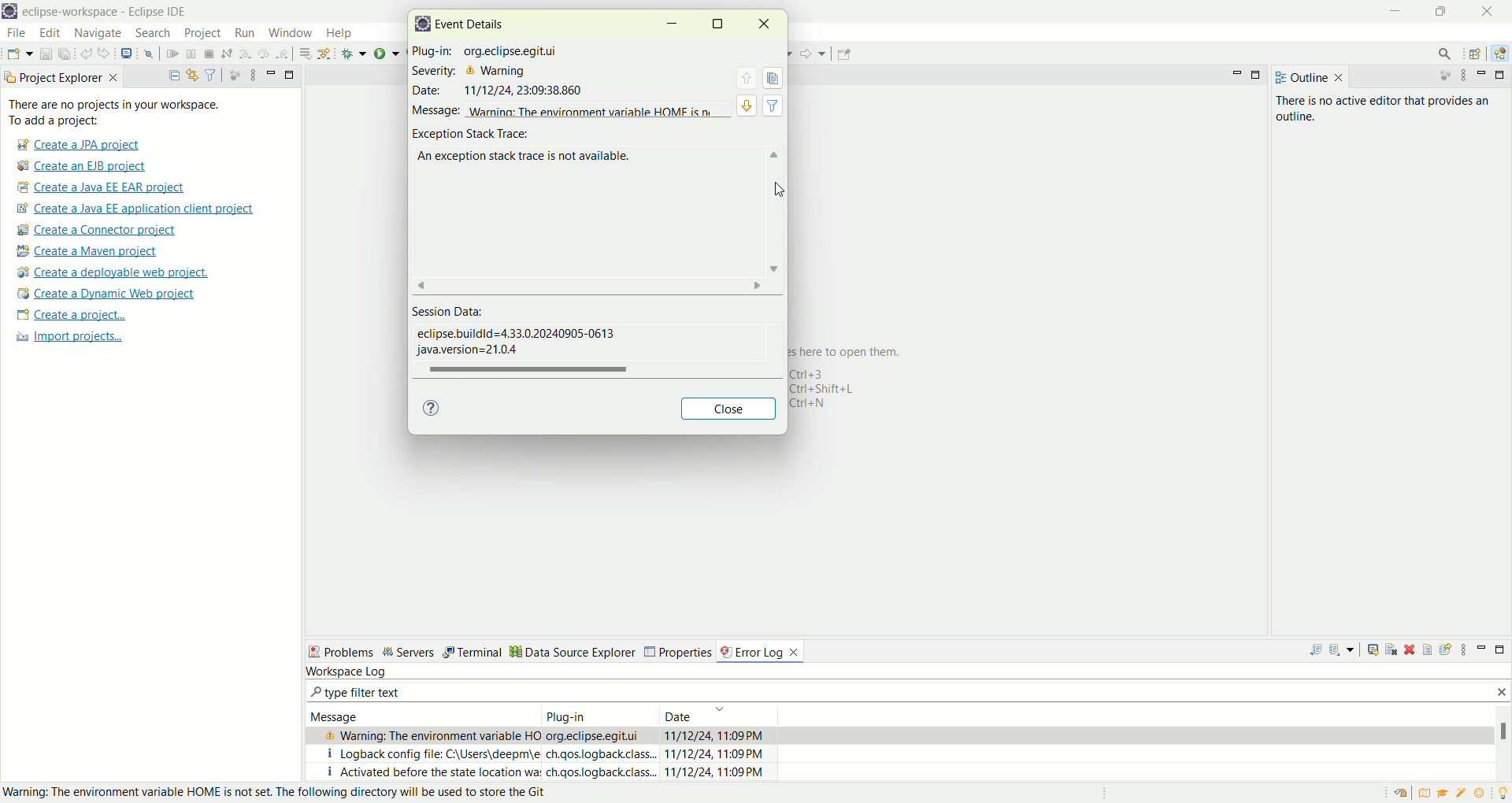  What do you see at coordinates (484, 754) in the screenshot?
I see `i logback config file C:/Users/deepm/e ch.qos.logback.class` at bounding box center [484, 754].